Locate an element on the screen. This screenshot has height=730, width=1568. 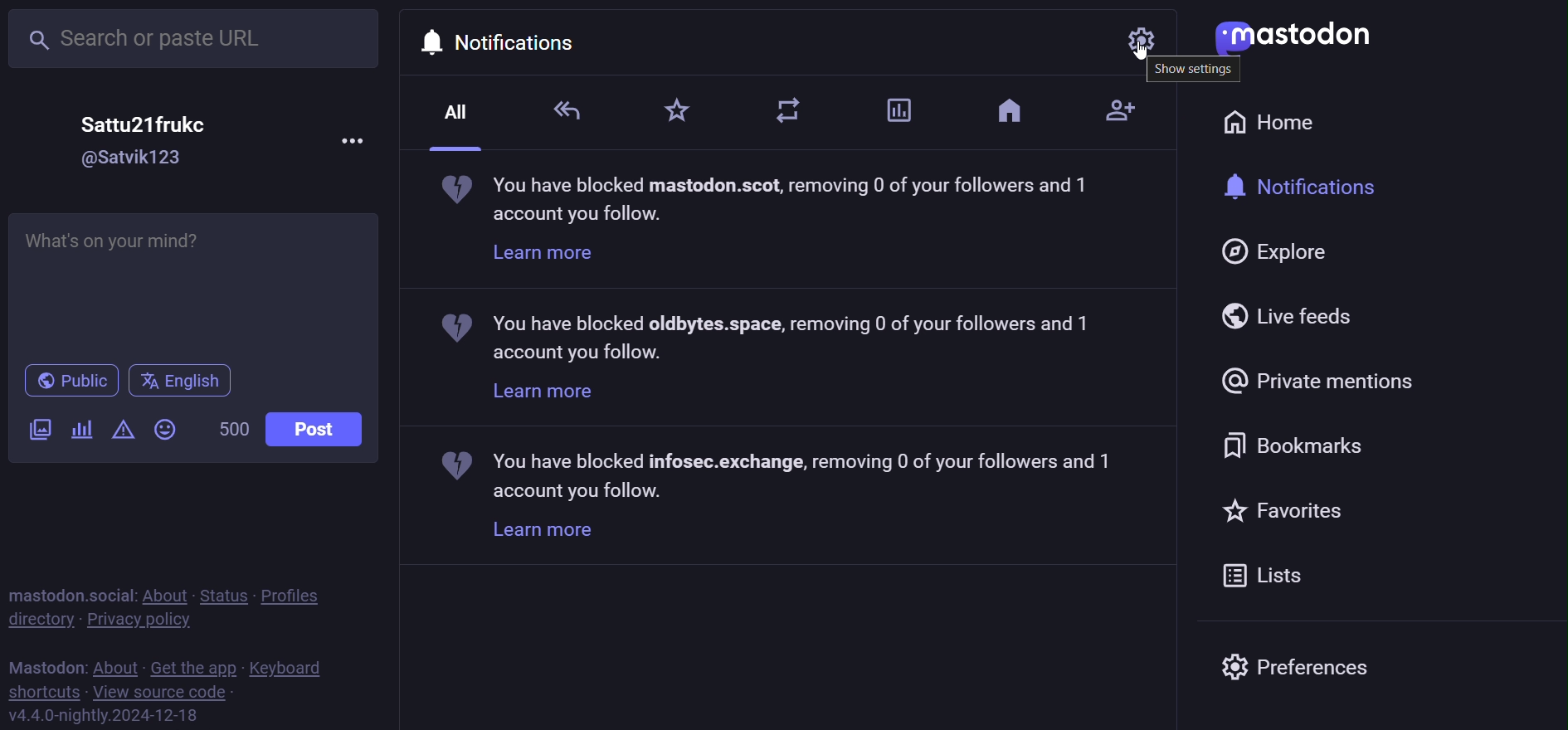
keyboard is located at coordinates (289, 668).